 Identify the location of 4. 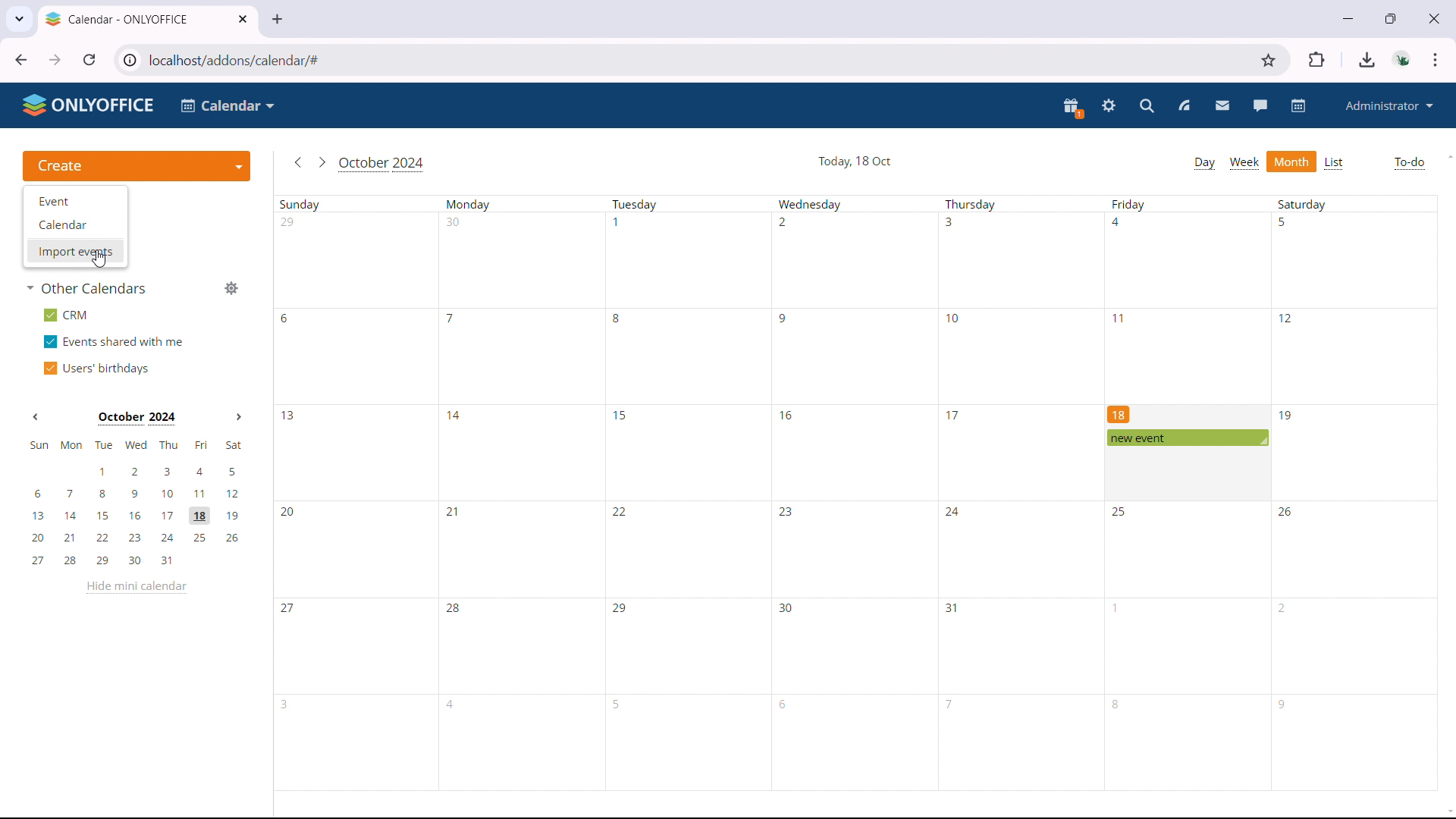
(453, 704).